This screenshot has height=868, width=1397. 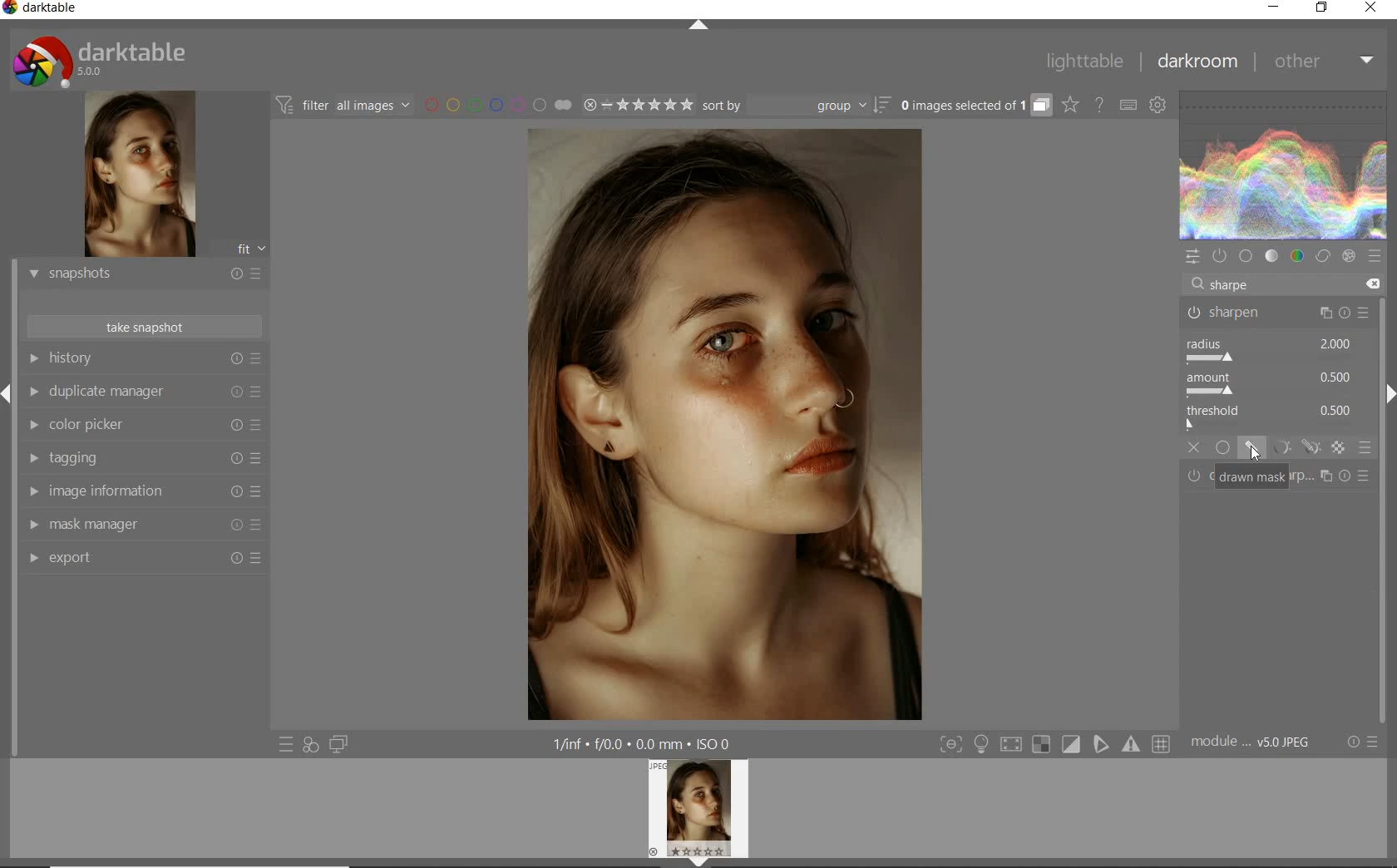 What do you see at coordinates (637, 106) in the screenshot?
I see `range rating of selected images` at bounding box center [637, 106].